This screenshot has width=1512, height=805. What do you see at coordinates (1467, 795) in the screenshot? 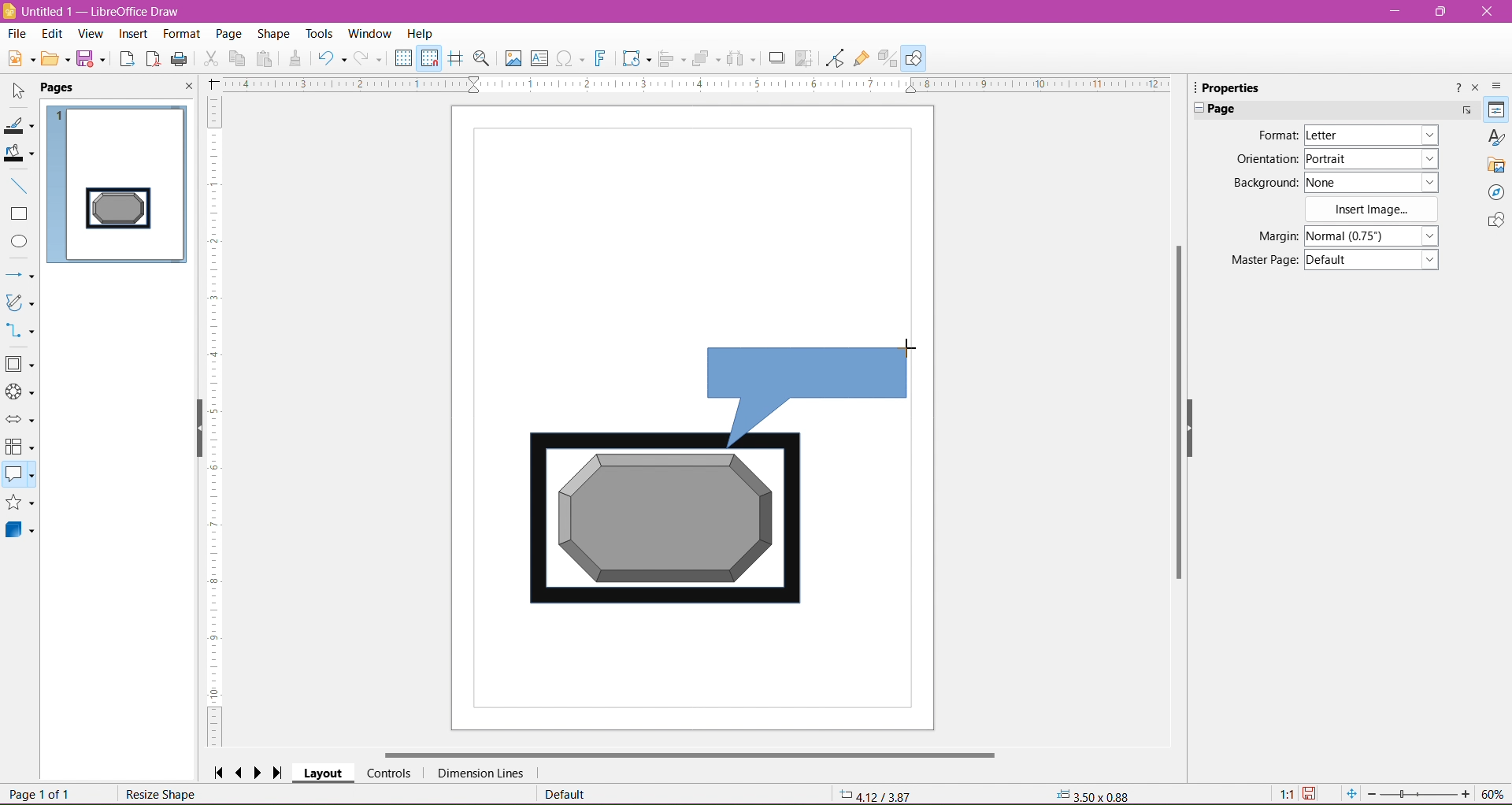
I see `Zoom In` at bounding box center [1467, 795].